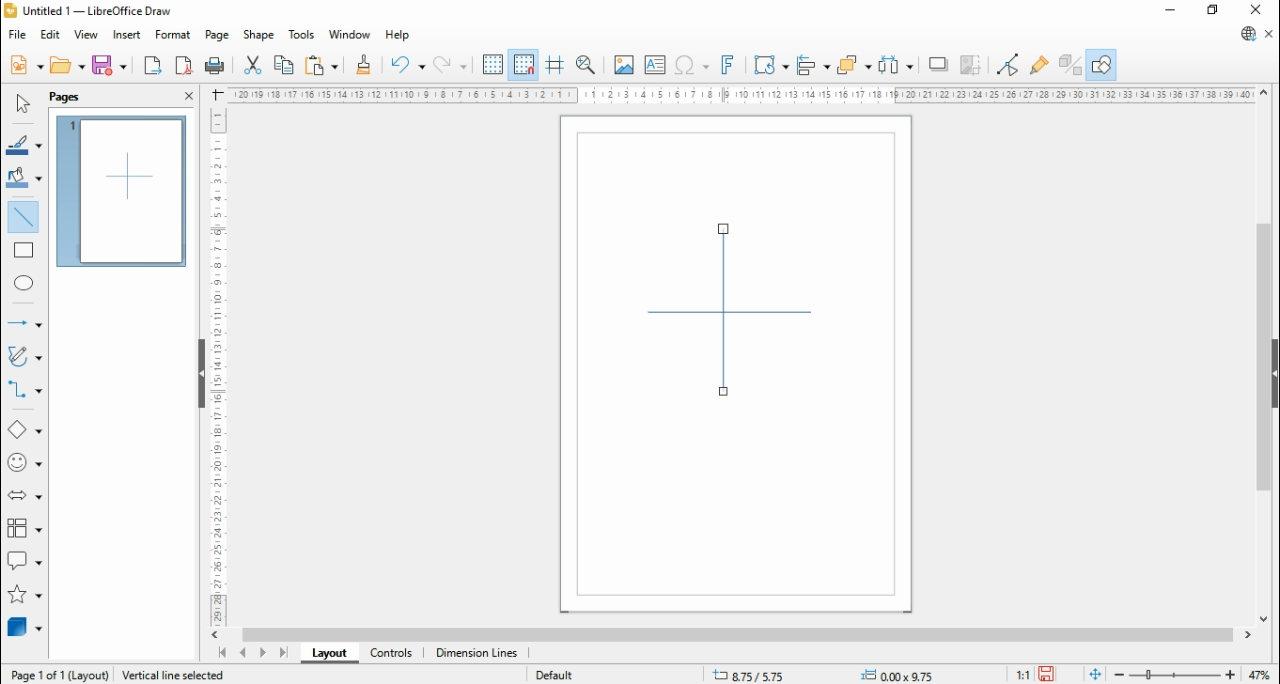 The height and width of the screenshot is (684, 1280). Describe the element at coordinates (900, 675) in the screenshot. I see `0.00x0.00` at that location.